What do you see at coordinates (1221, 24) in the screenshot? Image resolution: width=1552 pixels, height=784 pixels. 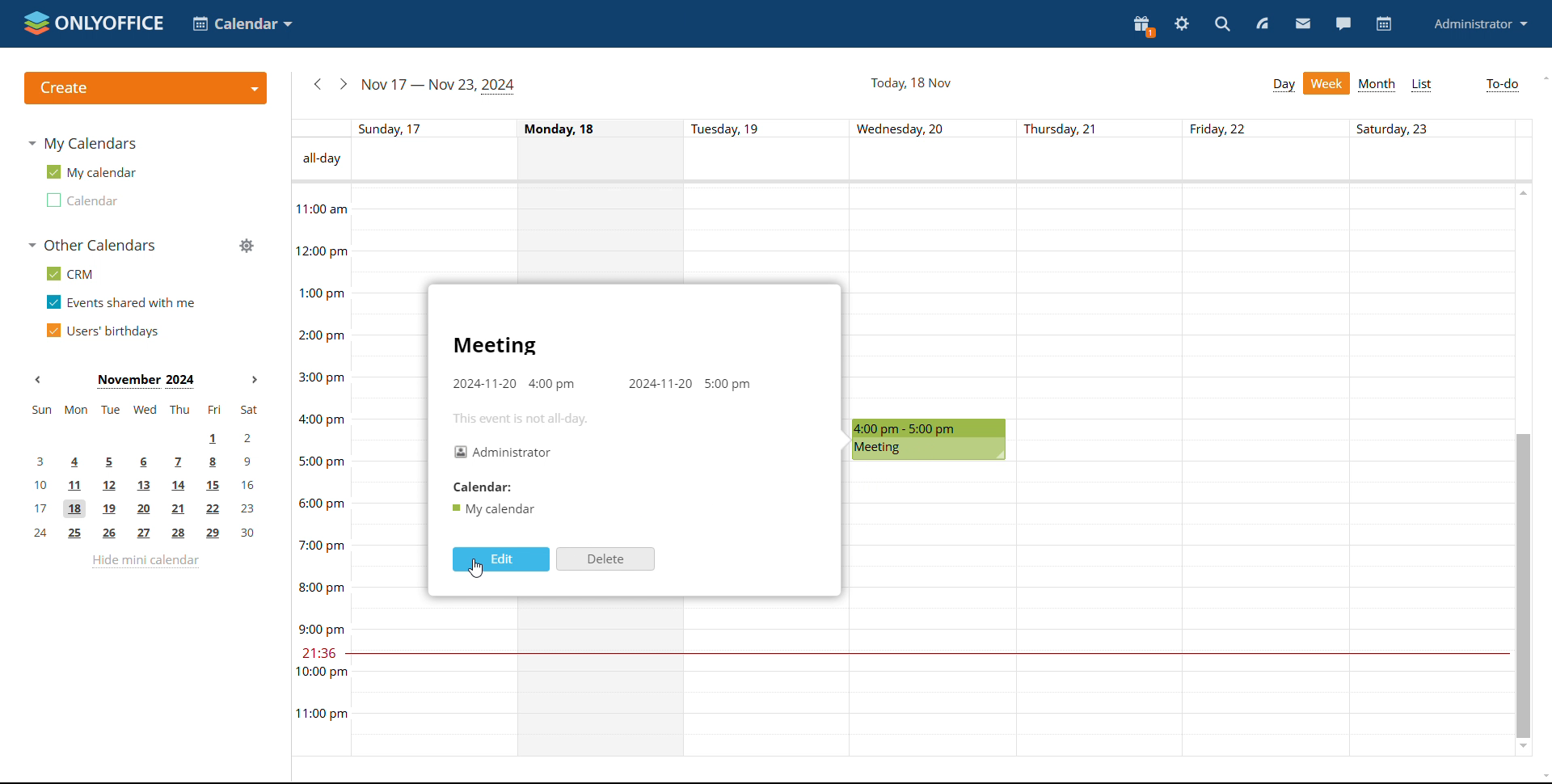 I see `search` at bounding box center [1221, 24].